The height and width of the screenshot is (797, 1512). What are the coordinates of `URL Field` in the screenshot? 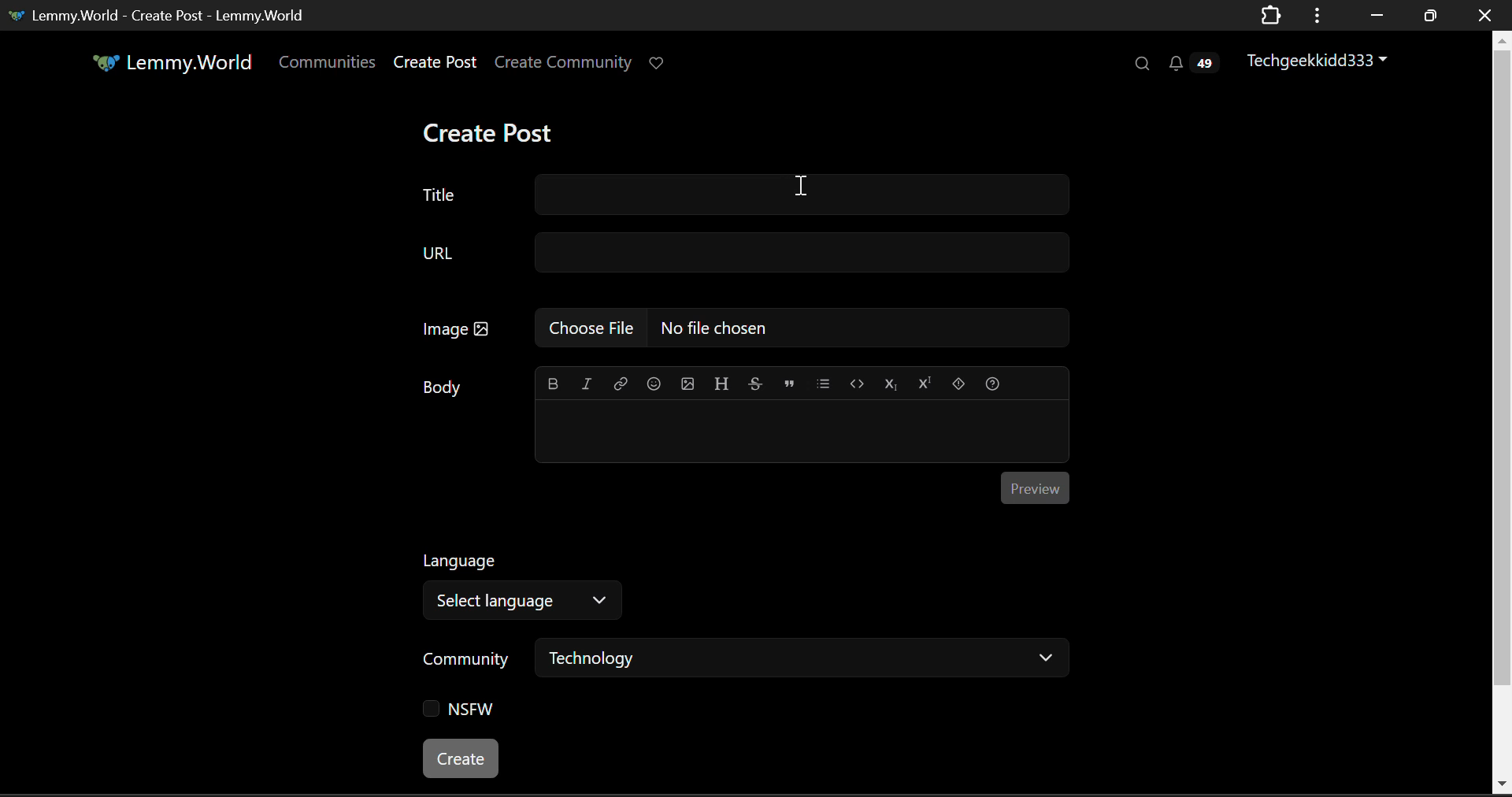 It's located at (733, 251).